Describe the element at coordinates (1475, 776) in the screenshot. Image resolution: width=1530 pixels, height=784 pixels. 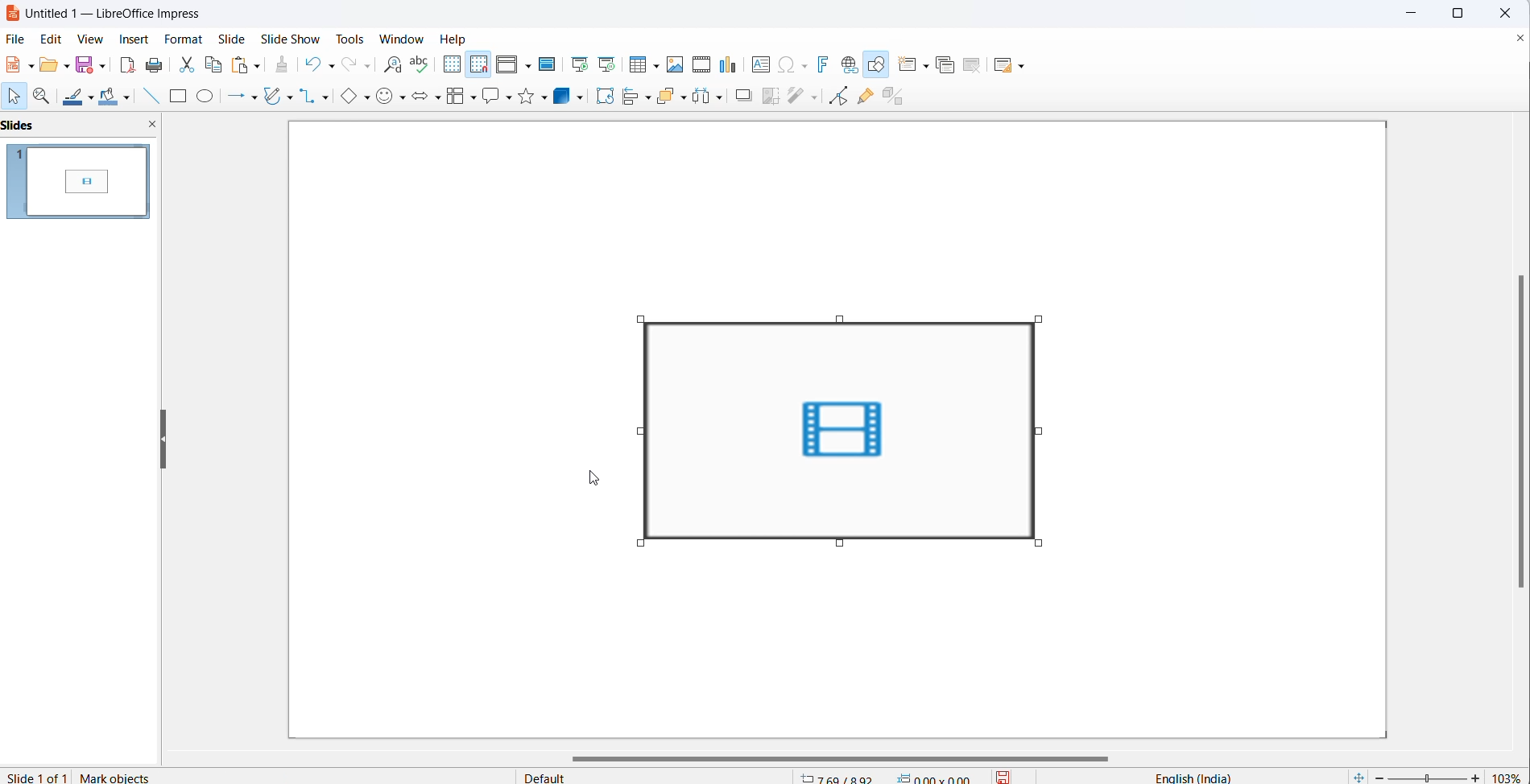
I see `increase zoom` at that location.